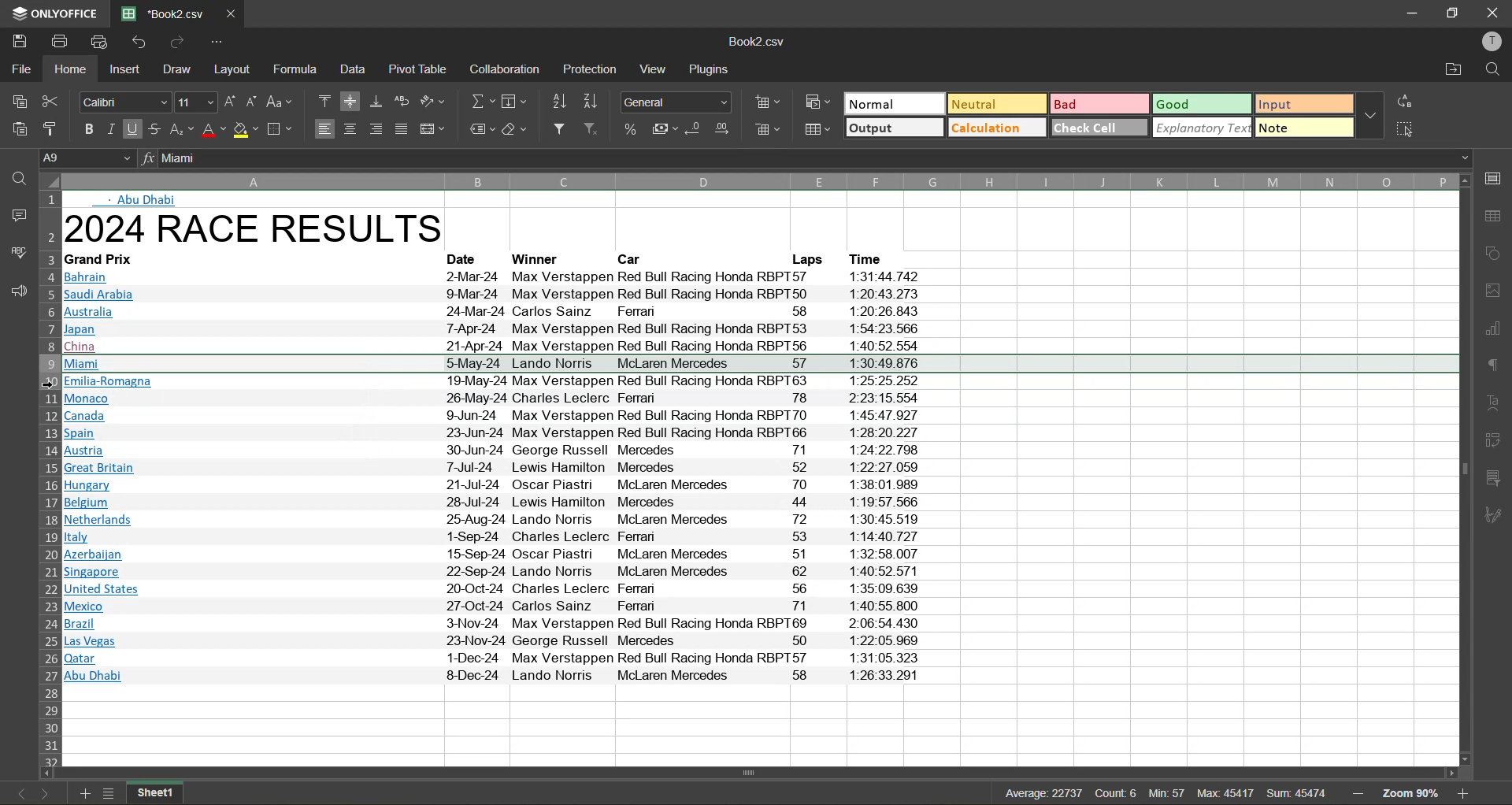 The height and width of the screenshot is (805, 1512). I want to click on shapes, so click(1497, 253).